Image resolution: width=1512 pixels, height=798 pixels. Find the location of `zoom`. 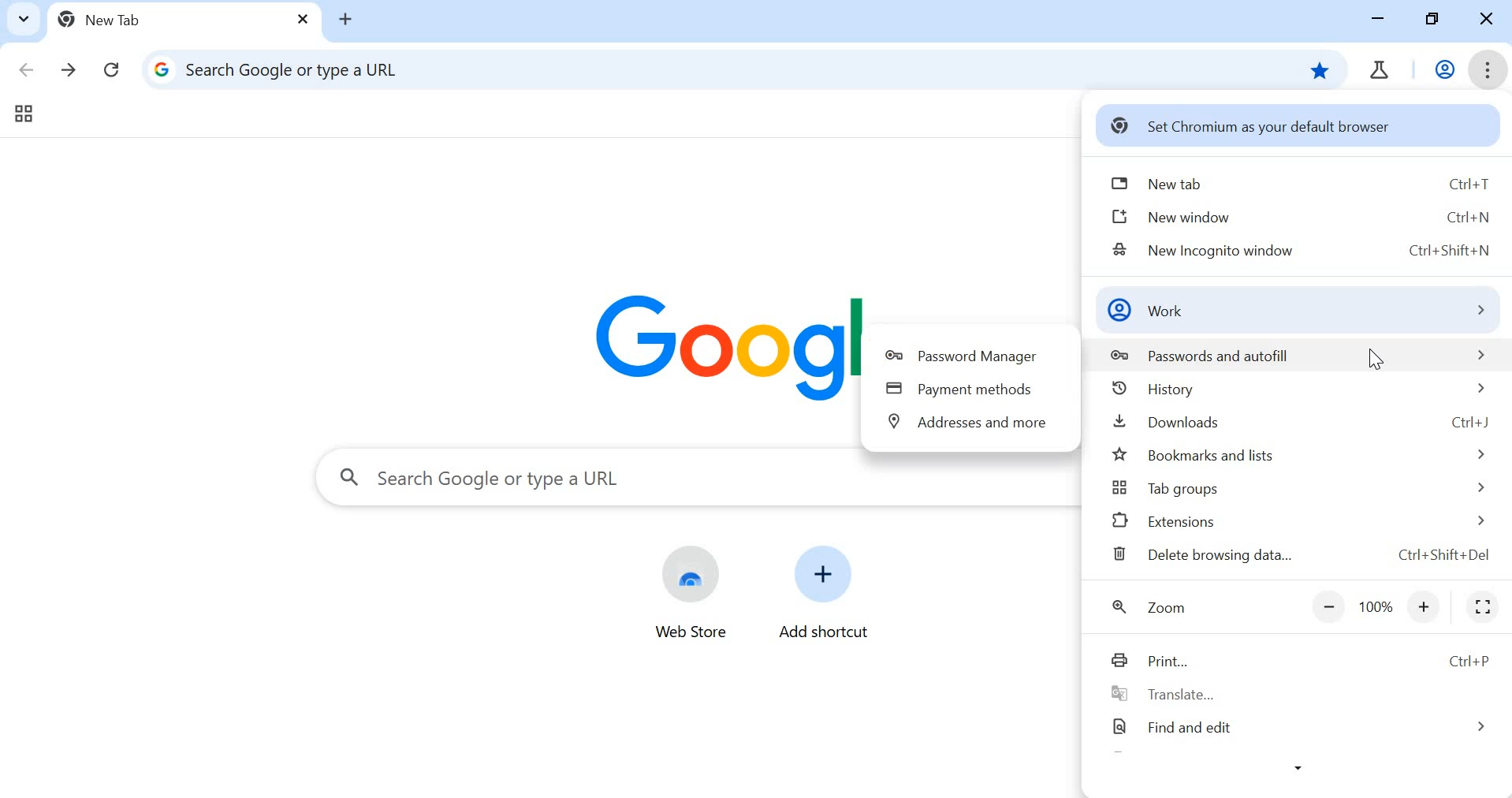

zoom is located at coordinates (1148, 605).